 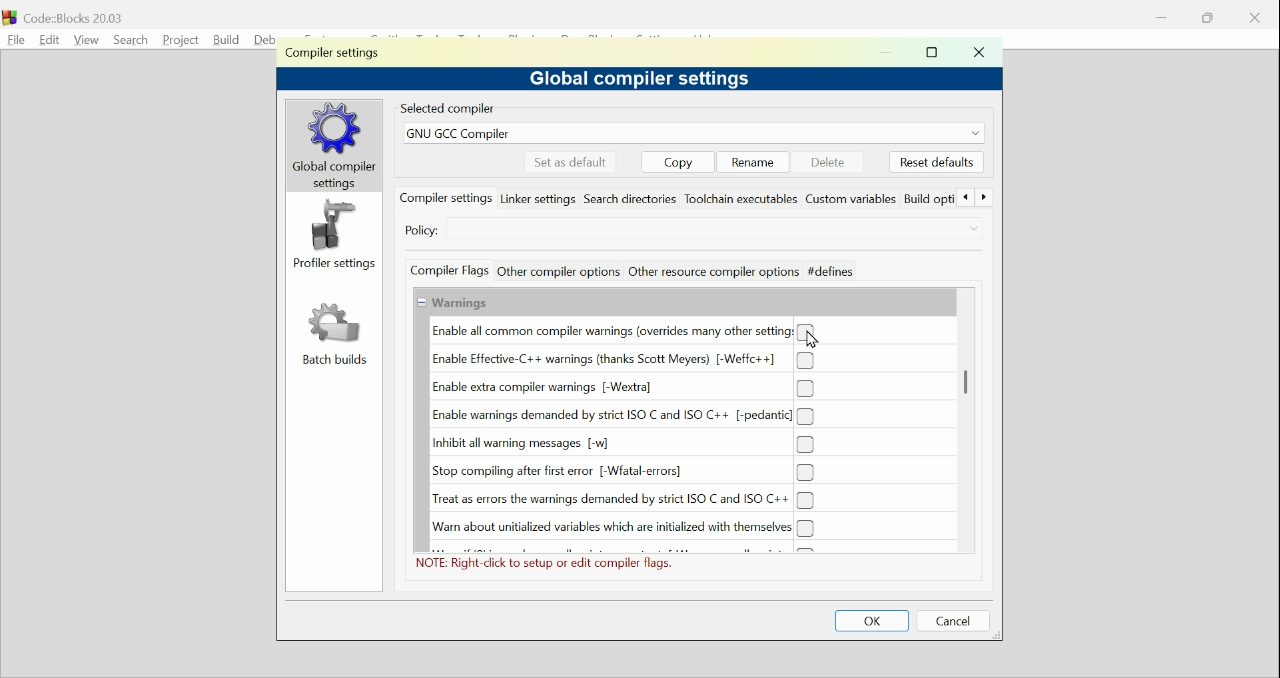 I want to click on (un)check Treat as errors the warnings demanded by strict ISO C and ISO C++, so click(x=624, y=500).